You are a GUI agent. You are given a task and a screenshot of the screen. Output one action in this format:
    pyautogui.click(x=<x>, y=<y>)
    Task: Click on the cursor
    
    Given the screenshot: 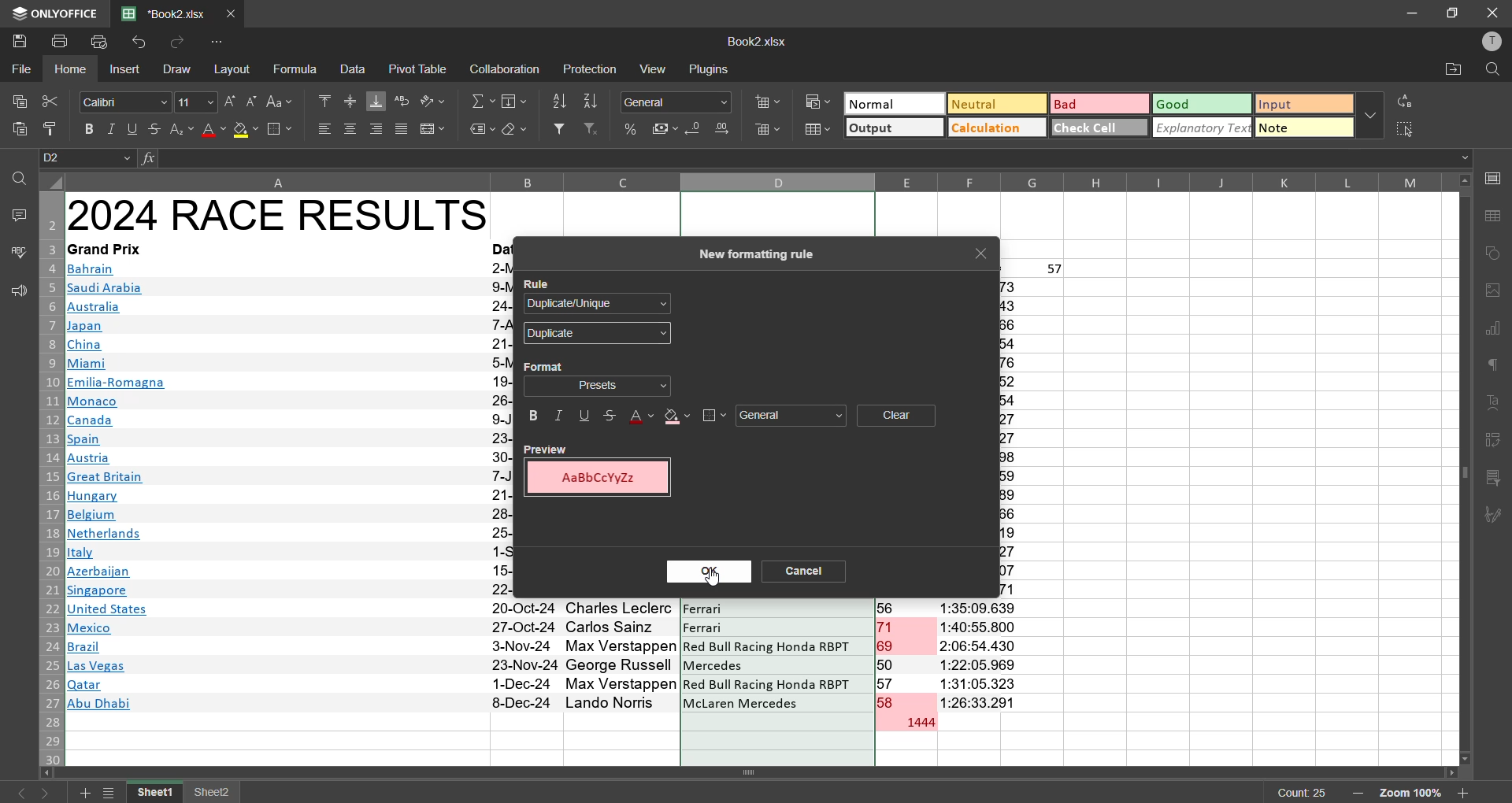 What is the action you would take?
    pyautogui.click(x=713, y=578)
    